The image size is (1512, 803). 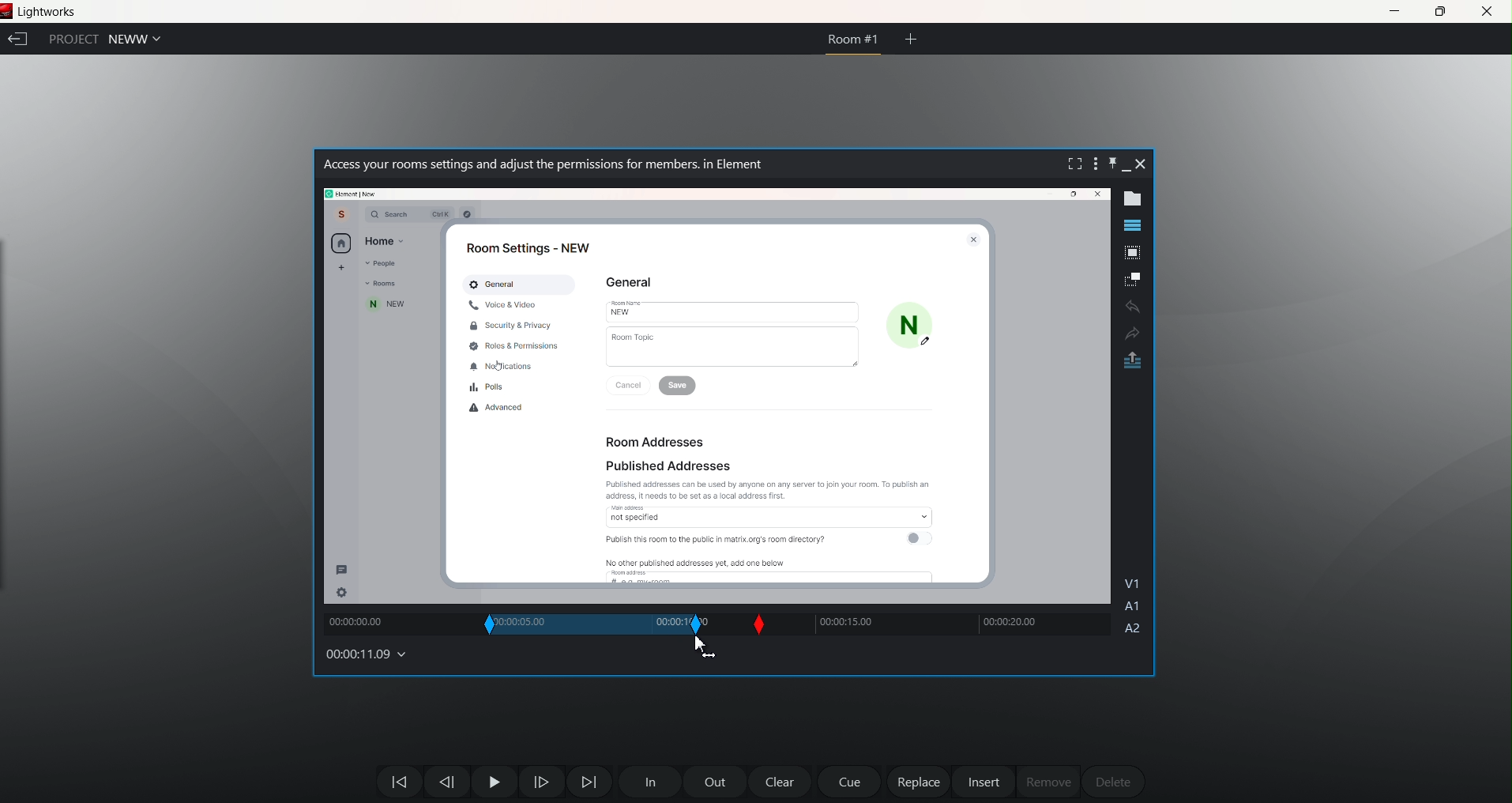 I want to click on message, so click(x=344, y=569).